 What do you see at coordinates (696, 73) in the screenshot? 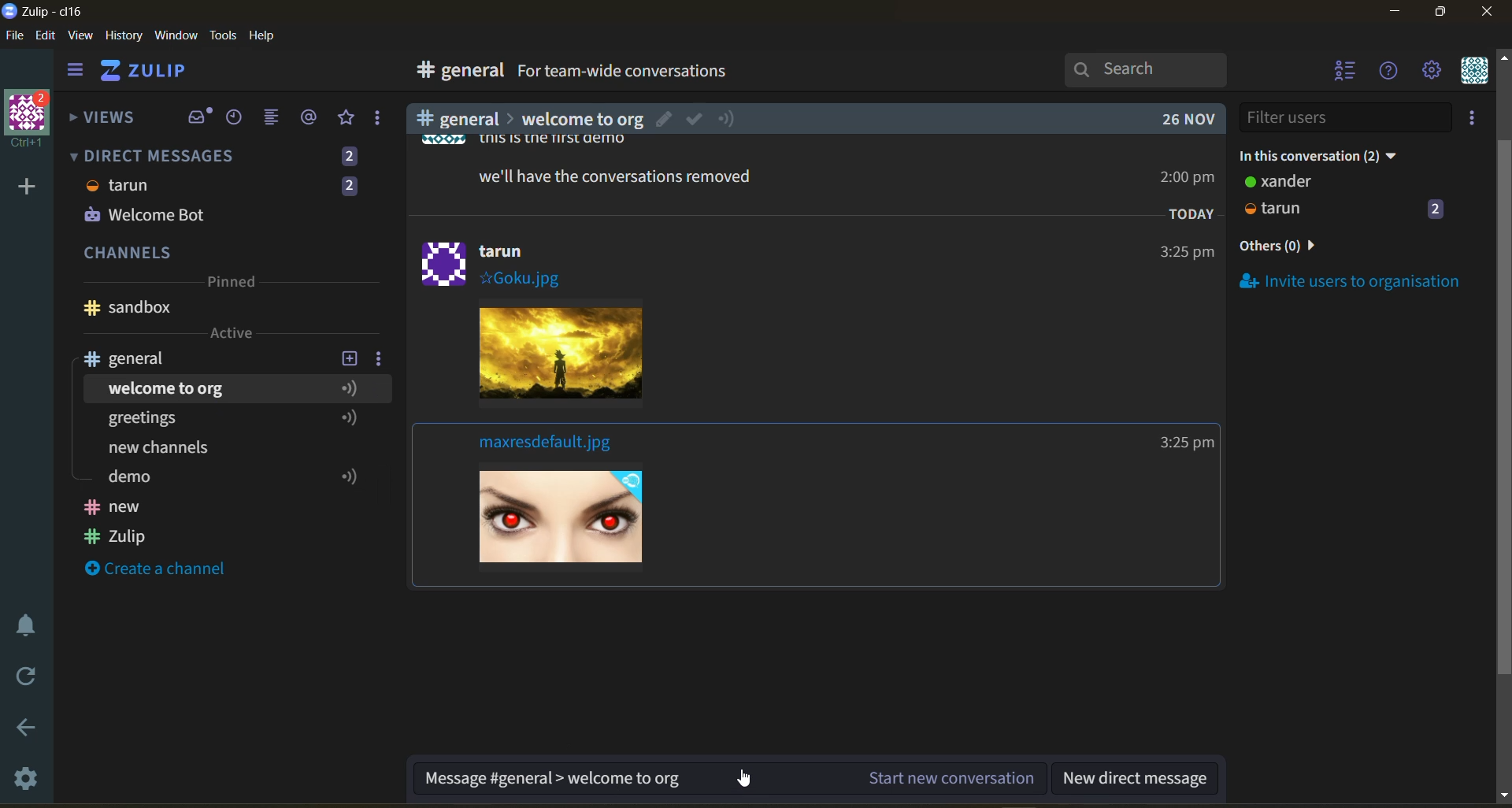
I see `Overview of your conversations with unread messages` at bounding box center [696, 73].